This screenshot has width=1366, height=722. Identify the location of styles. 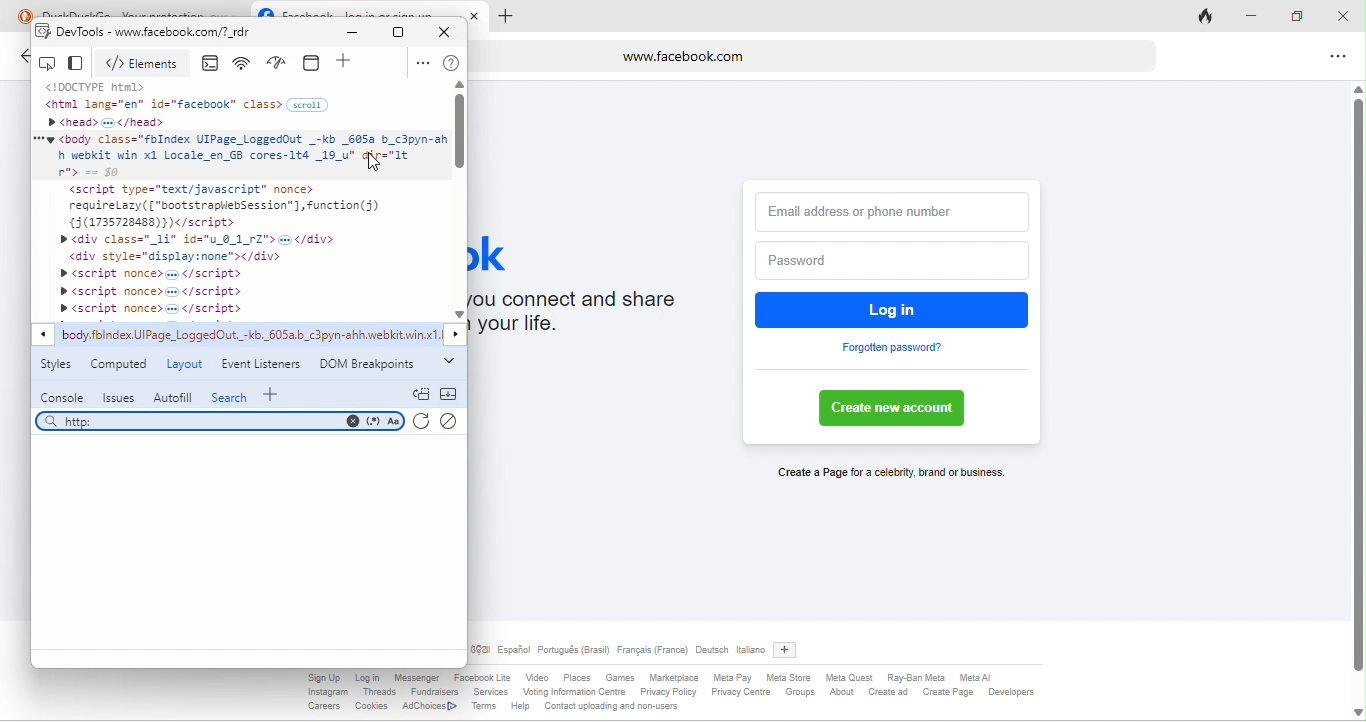
(60, 368).